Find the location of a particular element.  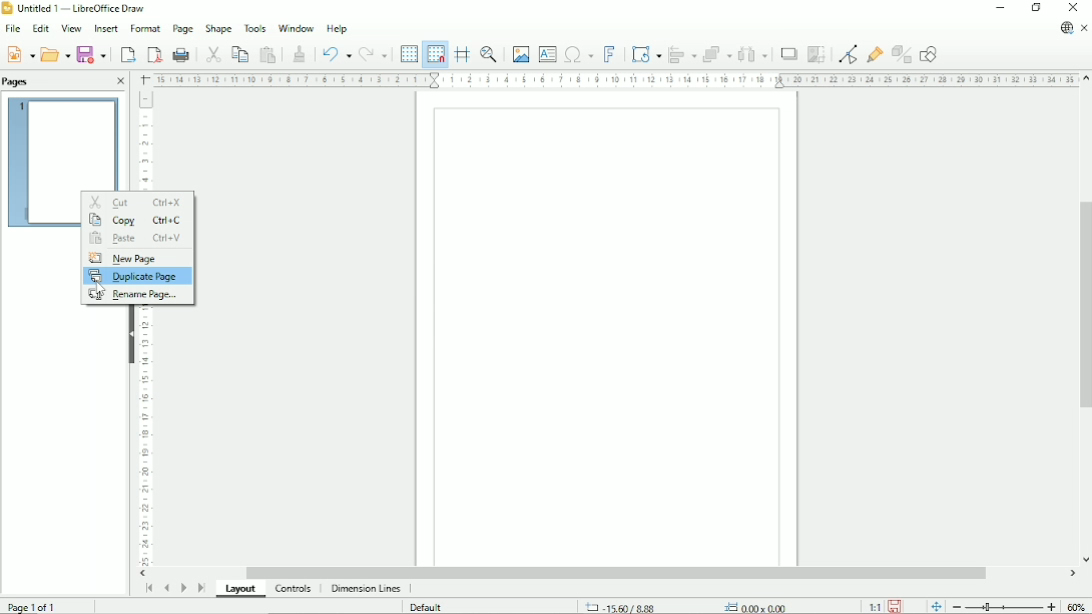

Toggle point edit mode is located at coordinates (850, 53).